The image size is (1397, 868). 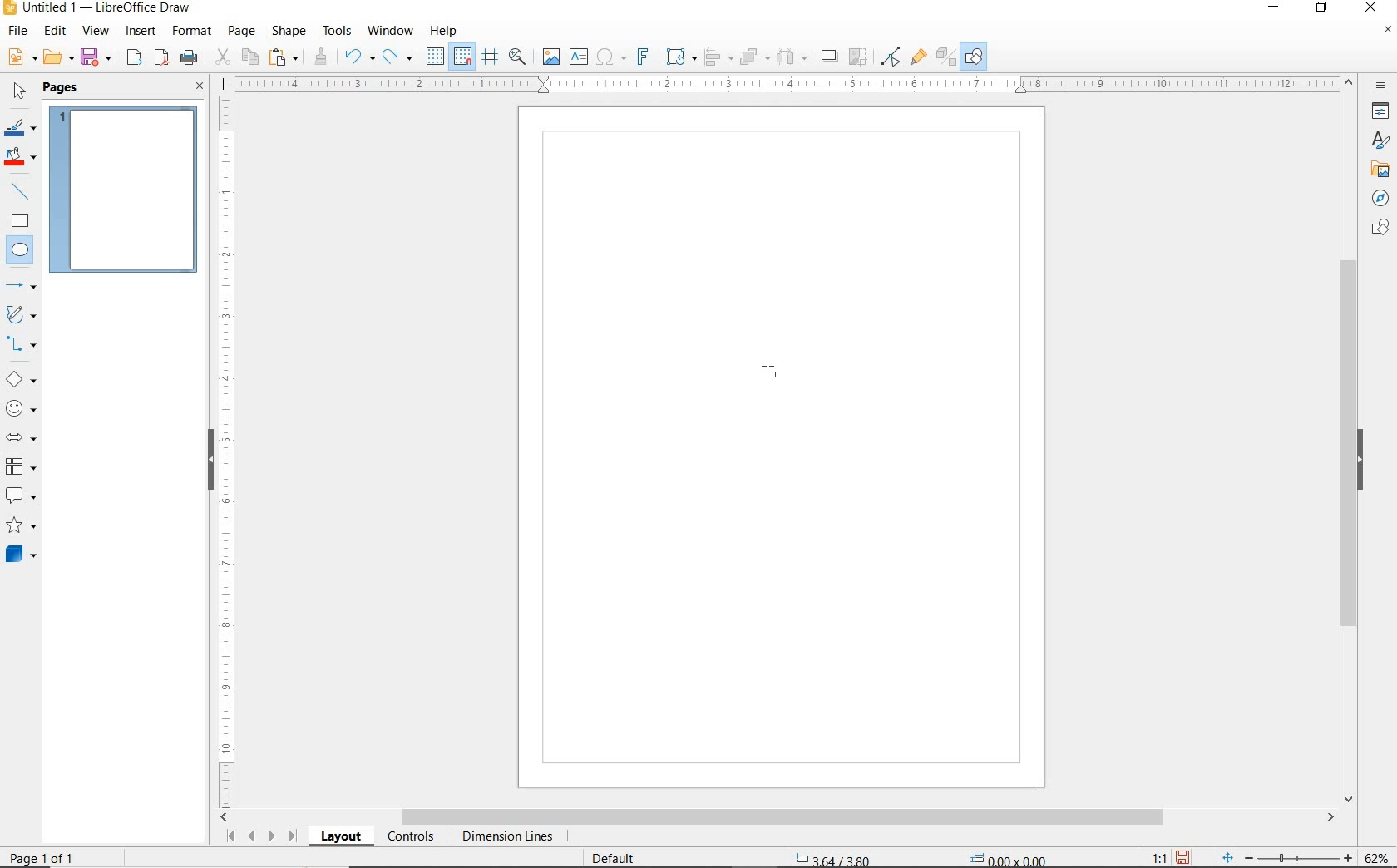 I want to click on PAGE 1, so click(x=124, y=195).